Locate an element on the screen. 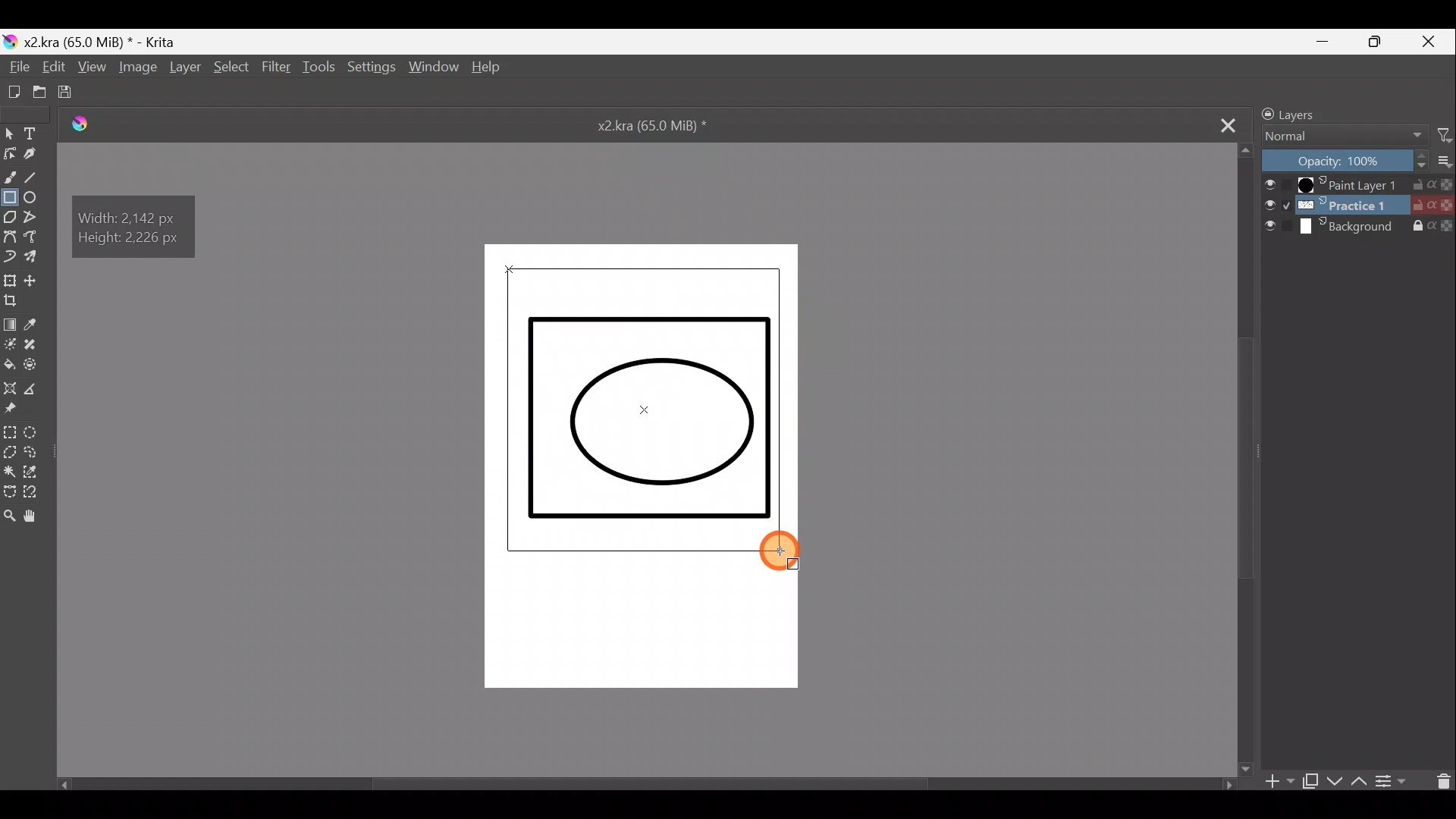  Magnetic curve selection tool is located at coordinates (36, 494).